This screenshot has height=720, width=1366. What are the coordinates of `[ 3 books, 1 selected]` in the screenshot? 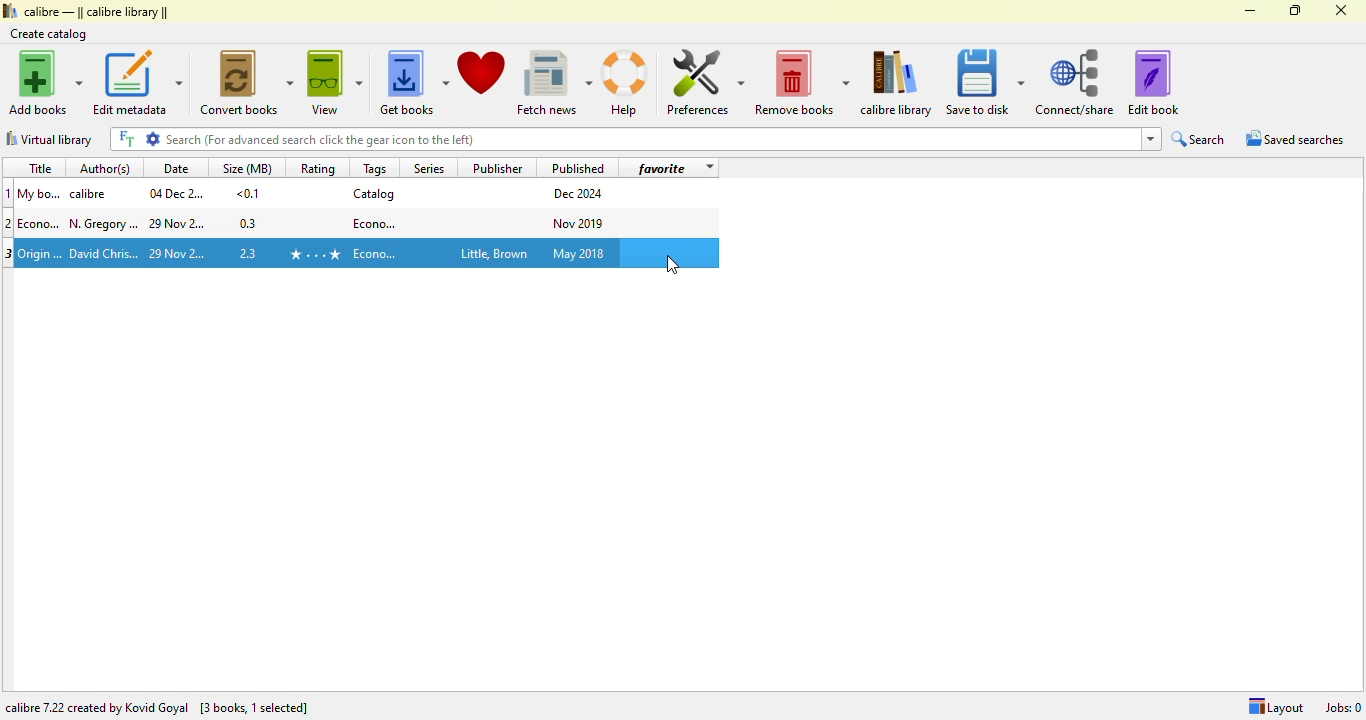 It's located at (255, 709).